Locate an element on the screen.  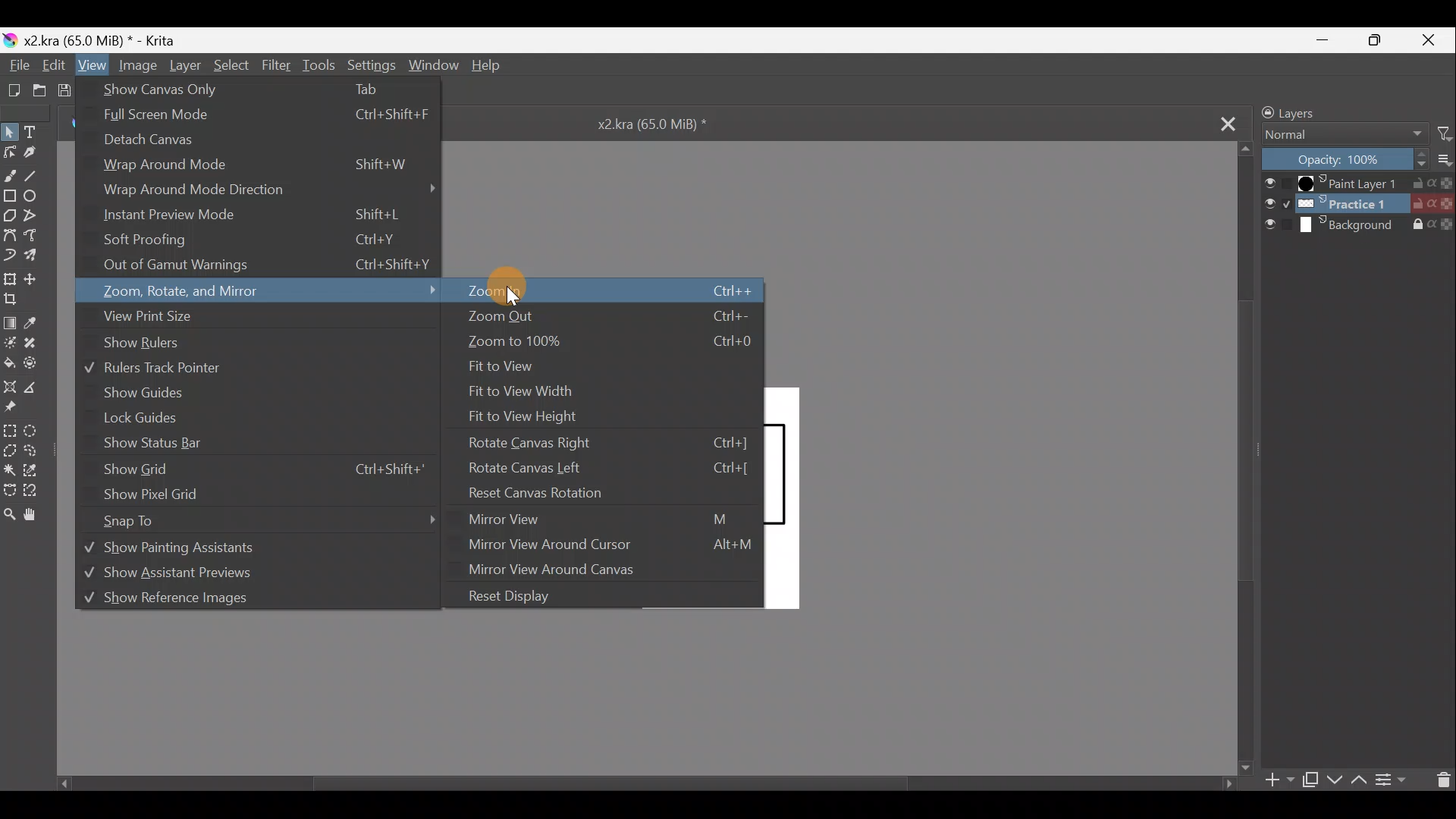
Move a layer is located at coordinates (36, 281).